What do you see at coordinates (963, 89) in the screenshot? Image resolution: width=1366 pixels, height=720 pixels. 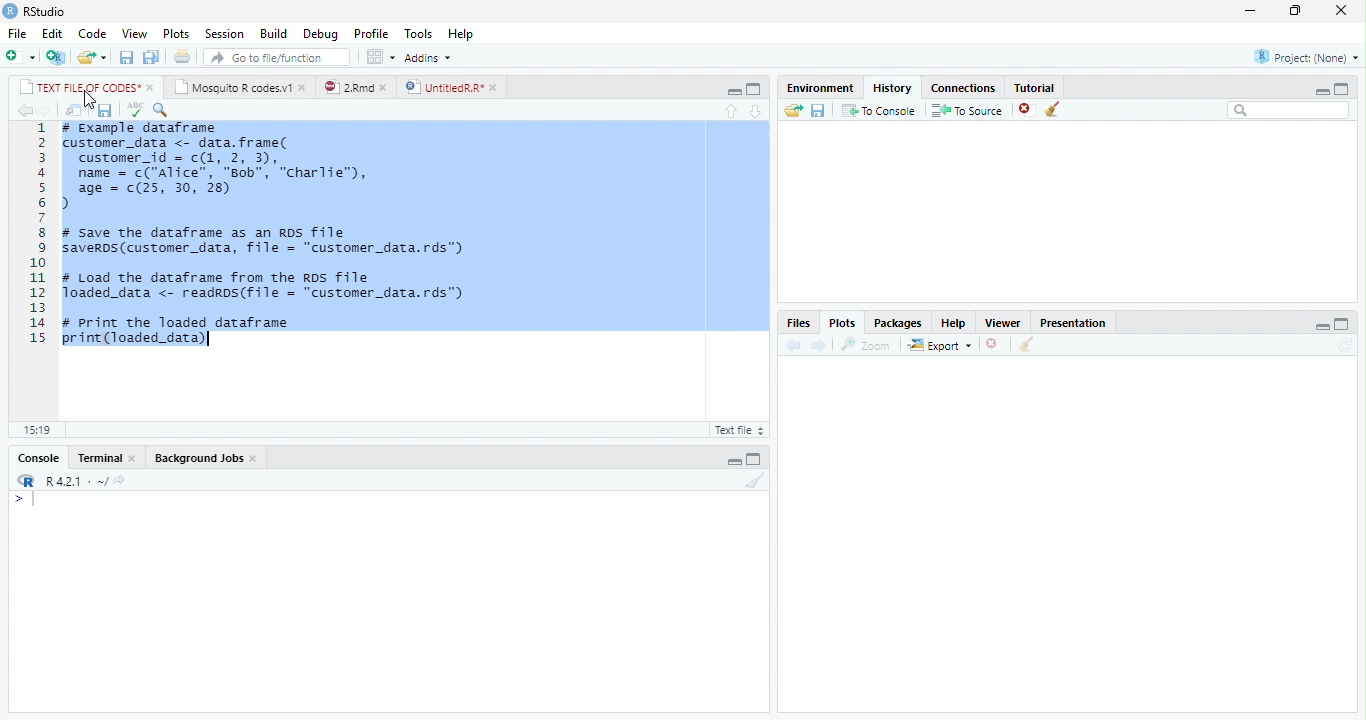 I see `Connections` at bounding box center [963, 89].